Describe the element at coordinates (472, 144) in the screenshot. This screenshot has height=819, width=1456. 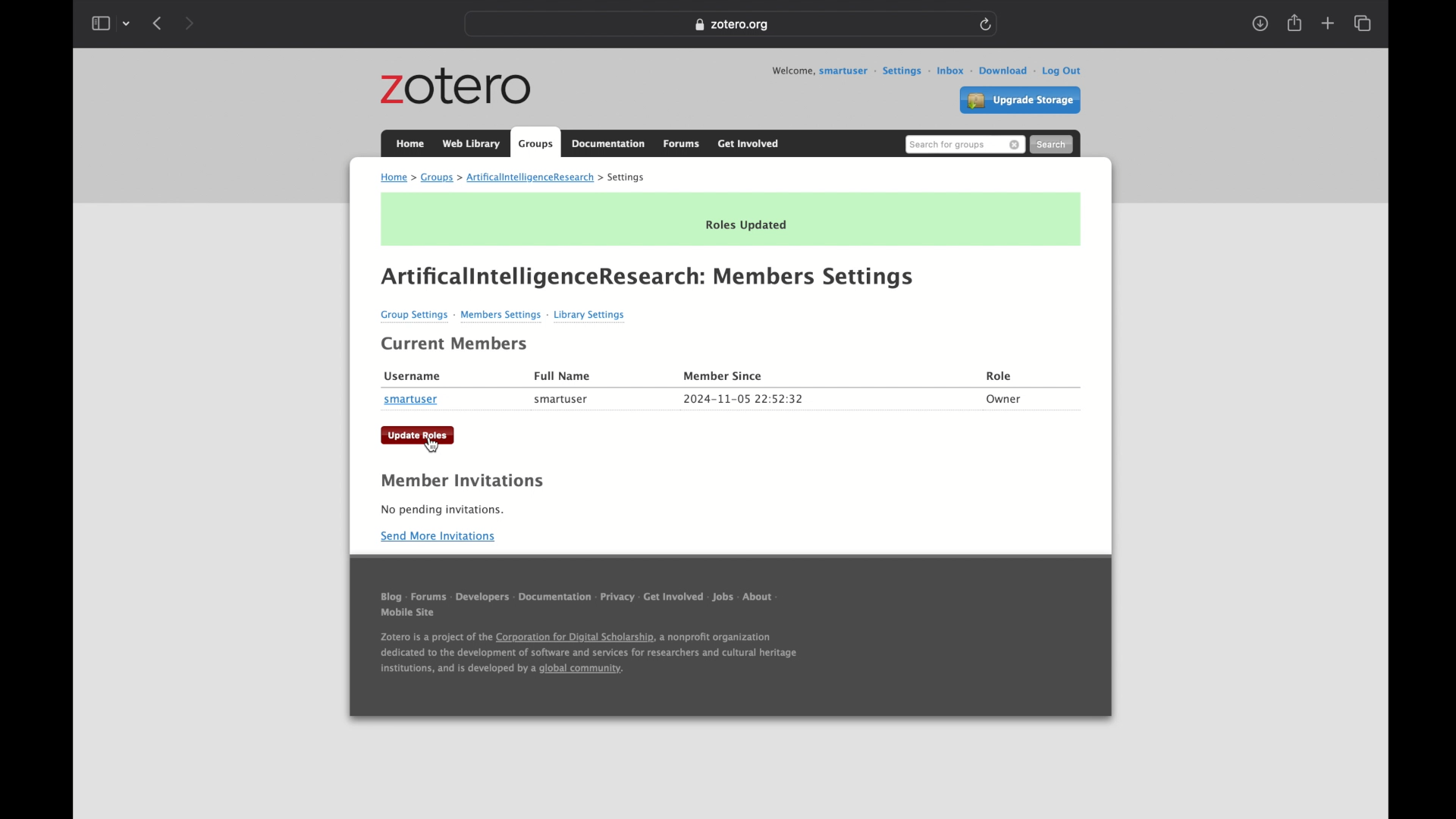
I see `web library` at that location.